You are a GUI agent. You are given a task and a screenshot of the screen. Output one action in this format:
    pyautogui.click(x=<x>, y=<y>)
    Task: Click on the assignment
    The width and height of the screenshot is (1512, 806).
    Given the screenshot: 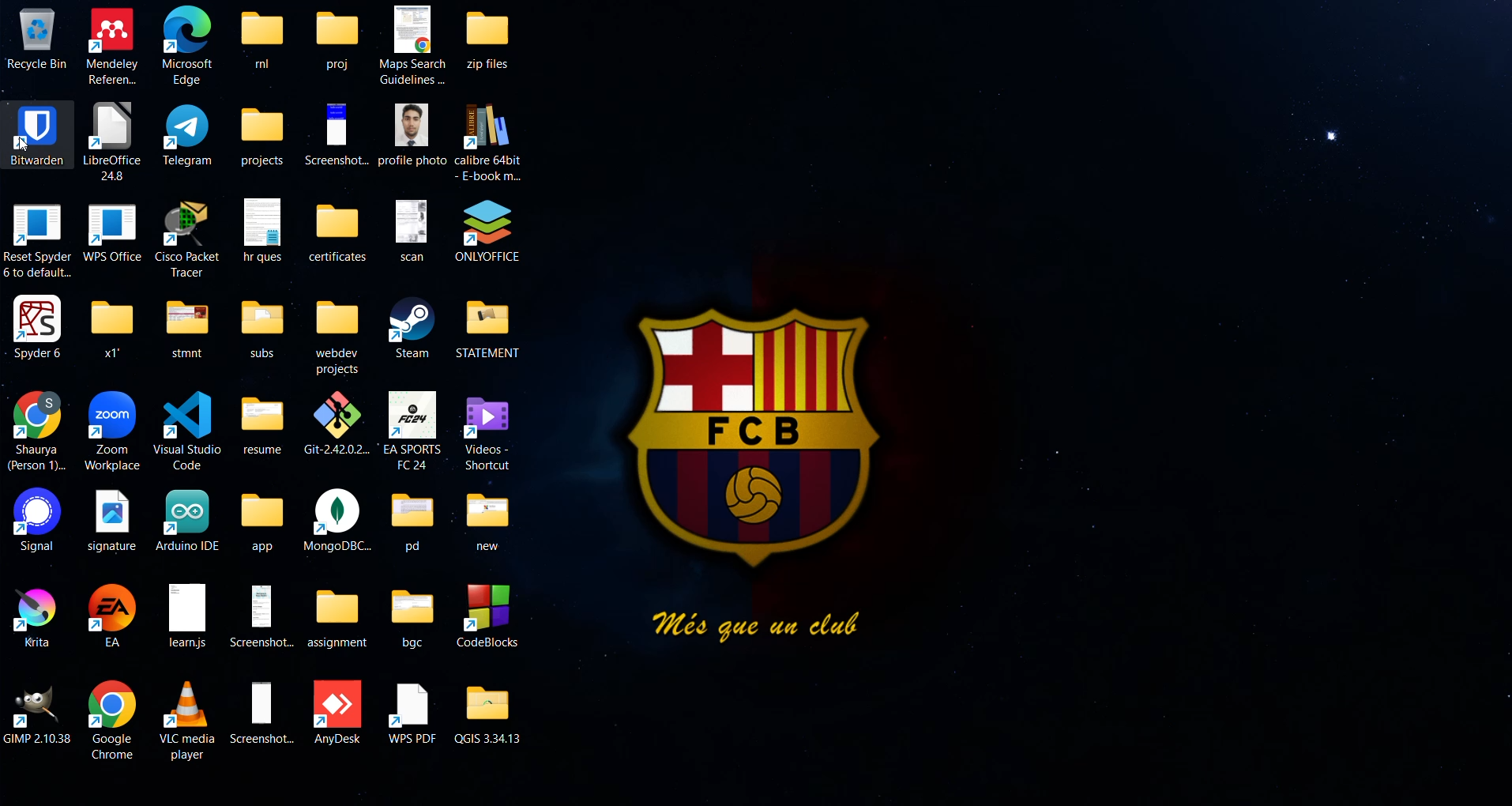 What is the action you would take?
    pyautogui.click(x=338, y=616)
    